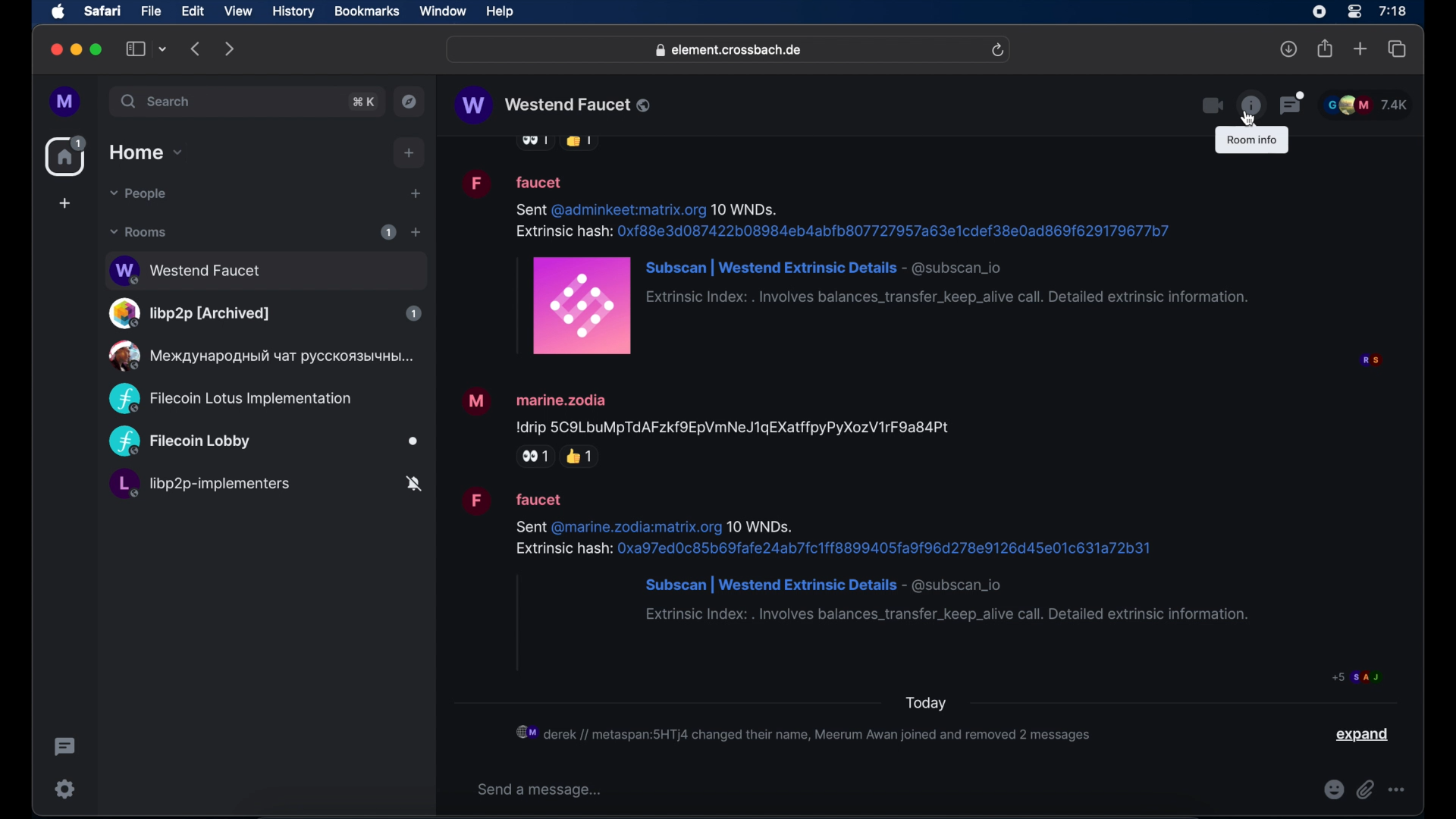  Describe the element at coordinates (77, 49) in the screenshot. I see `minimize` at that location.